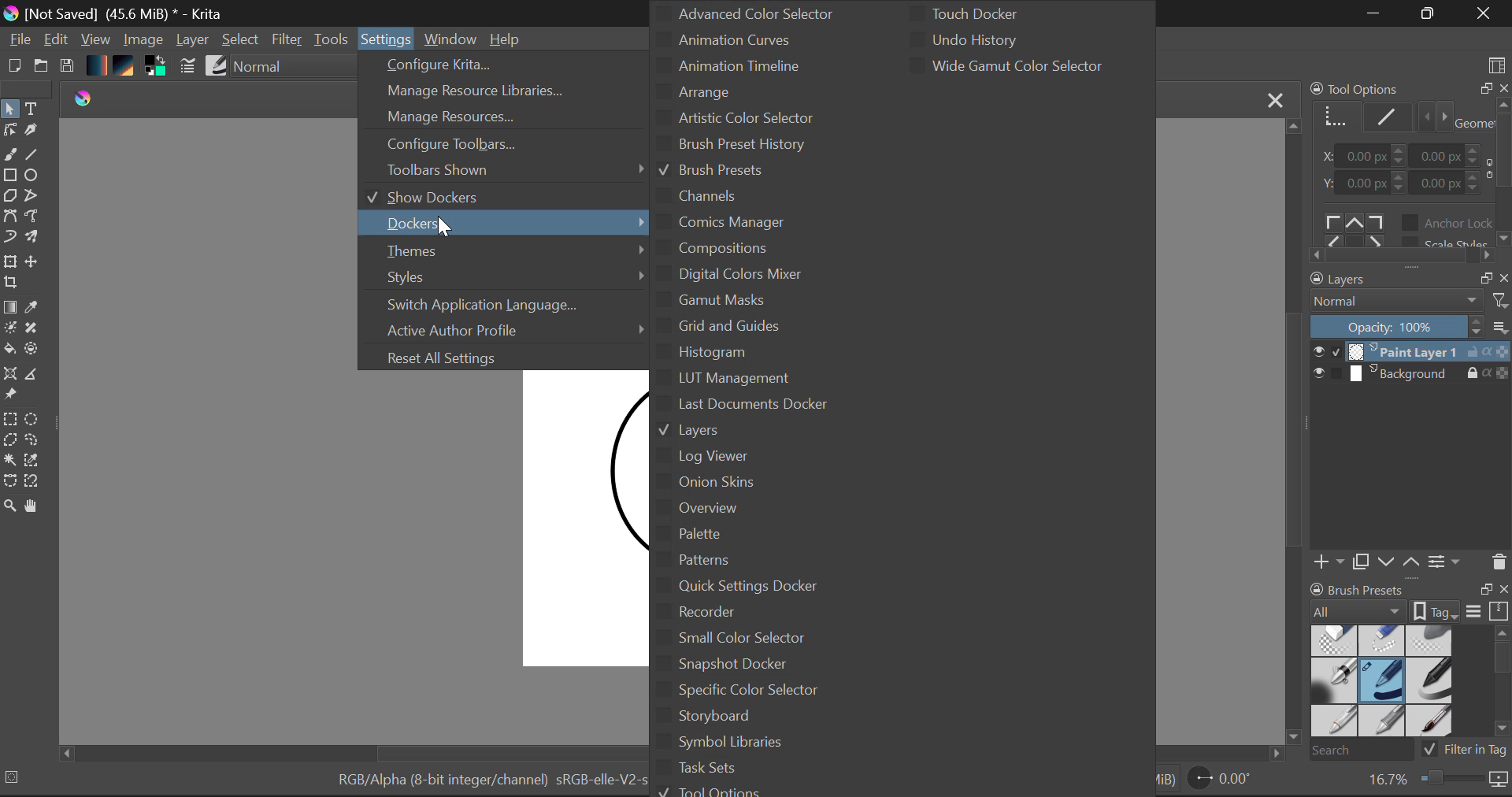 This screenshot has height=797, width=1512. What do you see at coordinates (509, 39) in the screenshot?
I see `Help` at bounding box center [509, 39].